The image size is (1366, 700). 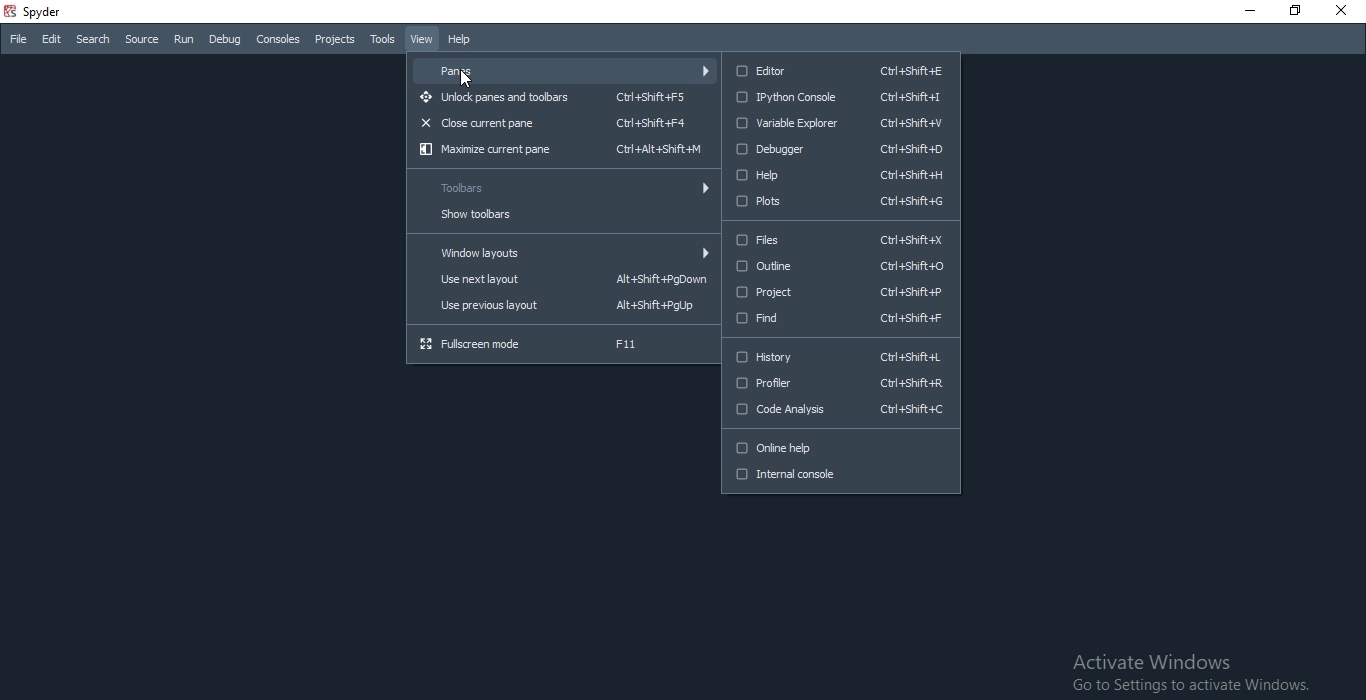 I want to click on Source, so click(x=143, y=40).